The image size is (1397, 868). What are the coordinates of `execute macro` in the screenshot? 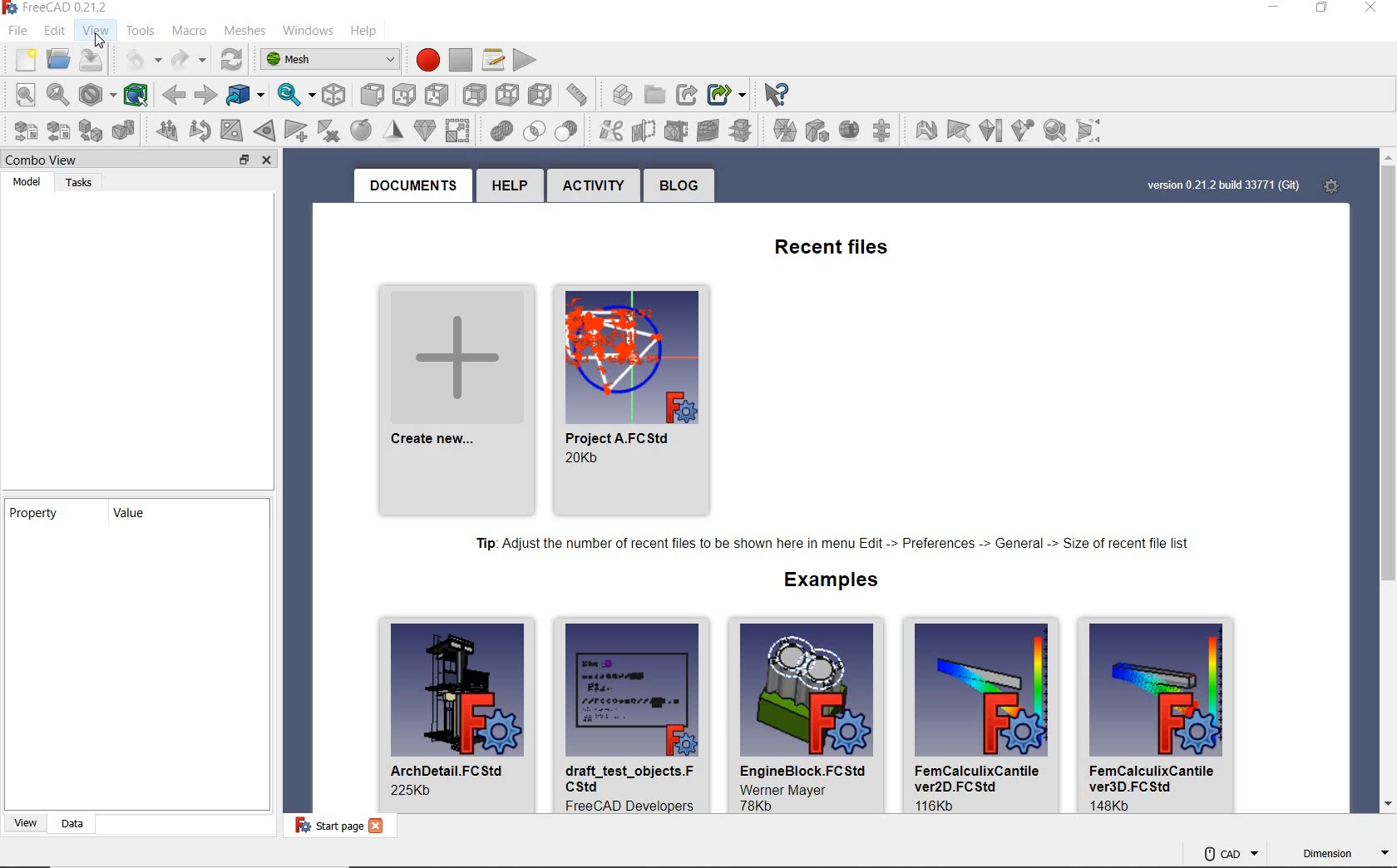 It's located at (528, 58).